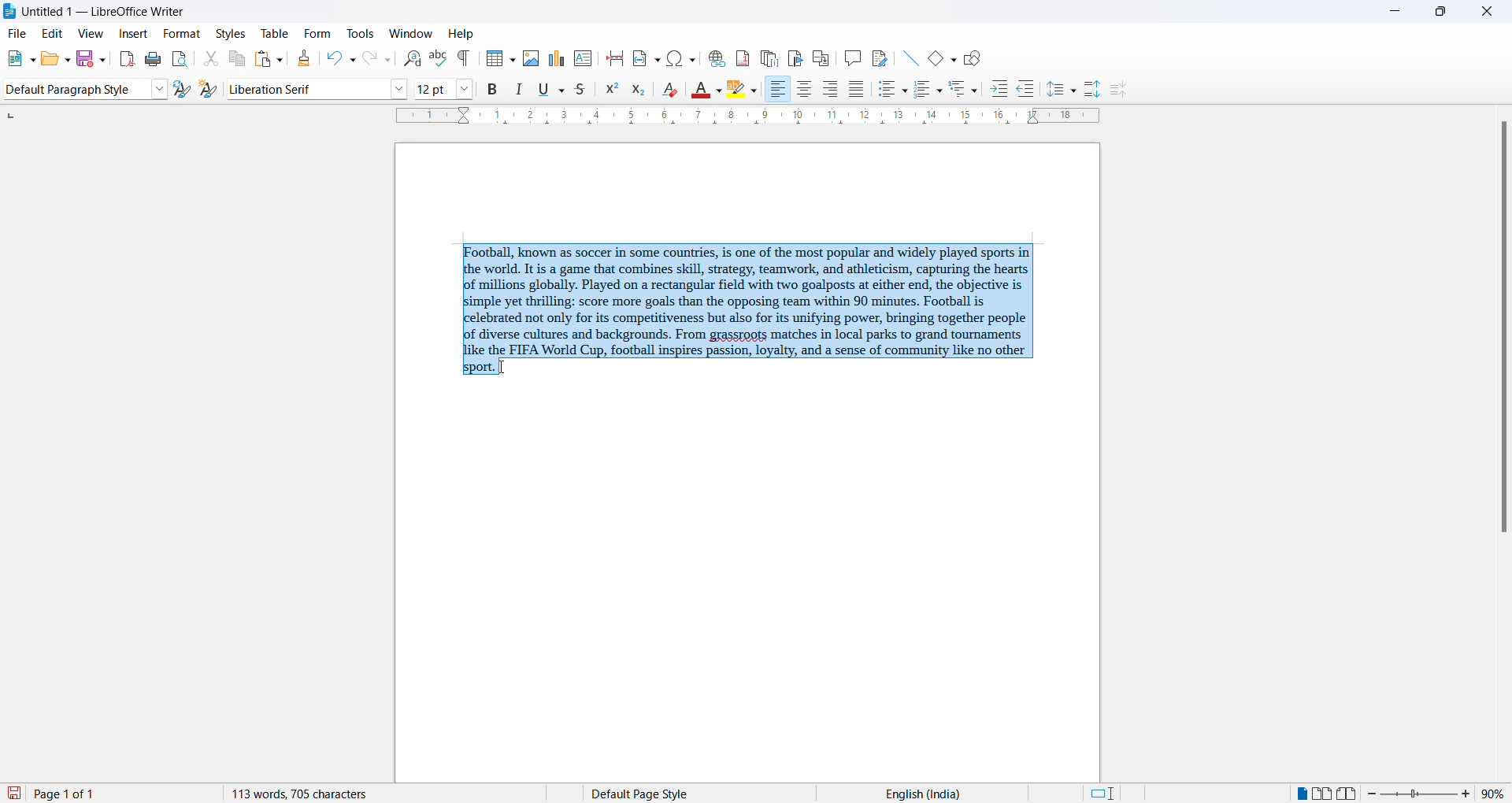 This screenshot has width=1512, height=803. What do you see at coordinates (749, 309) in the screenshot?
I see `selected paragraph` at bounding box center [749, 309].